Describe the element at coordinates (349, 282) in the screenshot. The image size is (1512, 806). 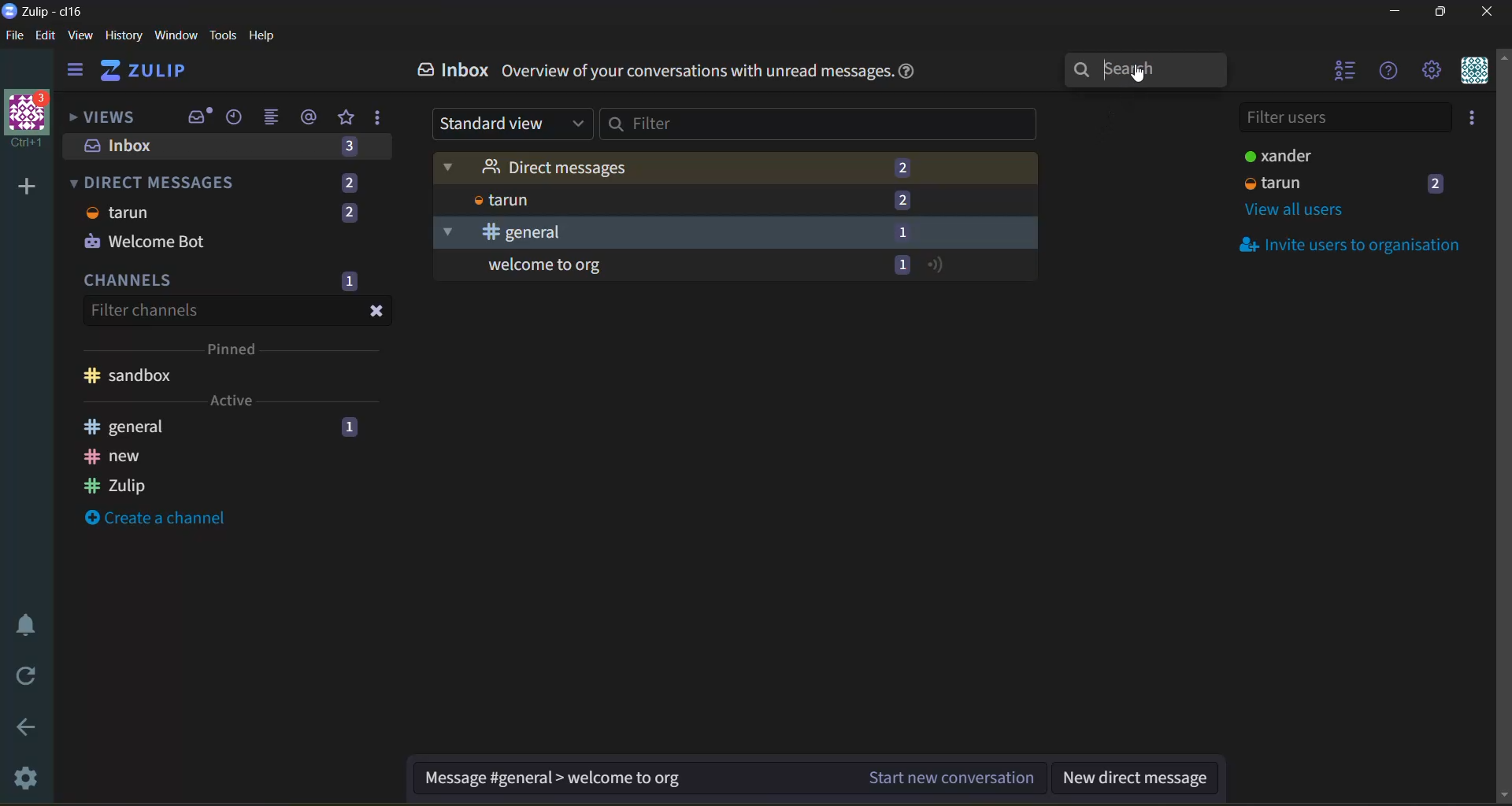
I see `1` at that location.